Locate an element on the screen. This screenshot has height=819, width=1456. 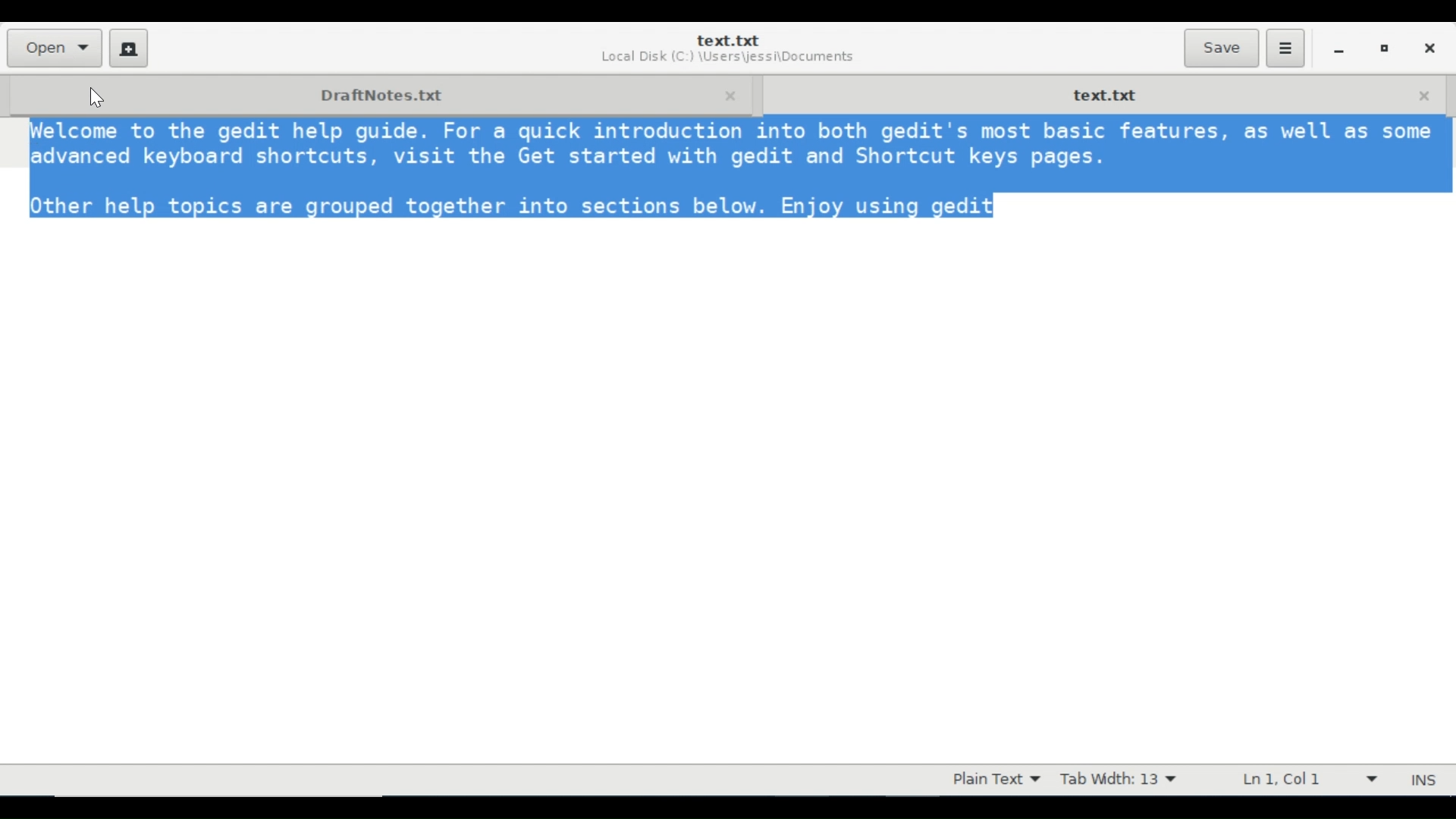
Open Tab is located at coordinates (378, 93).